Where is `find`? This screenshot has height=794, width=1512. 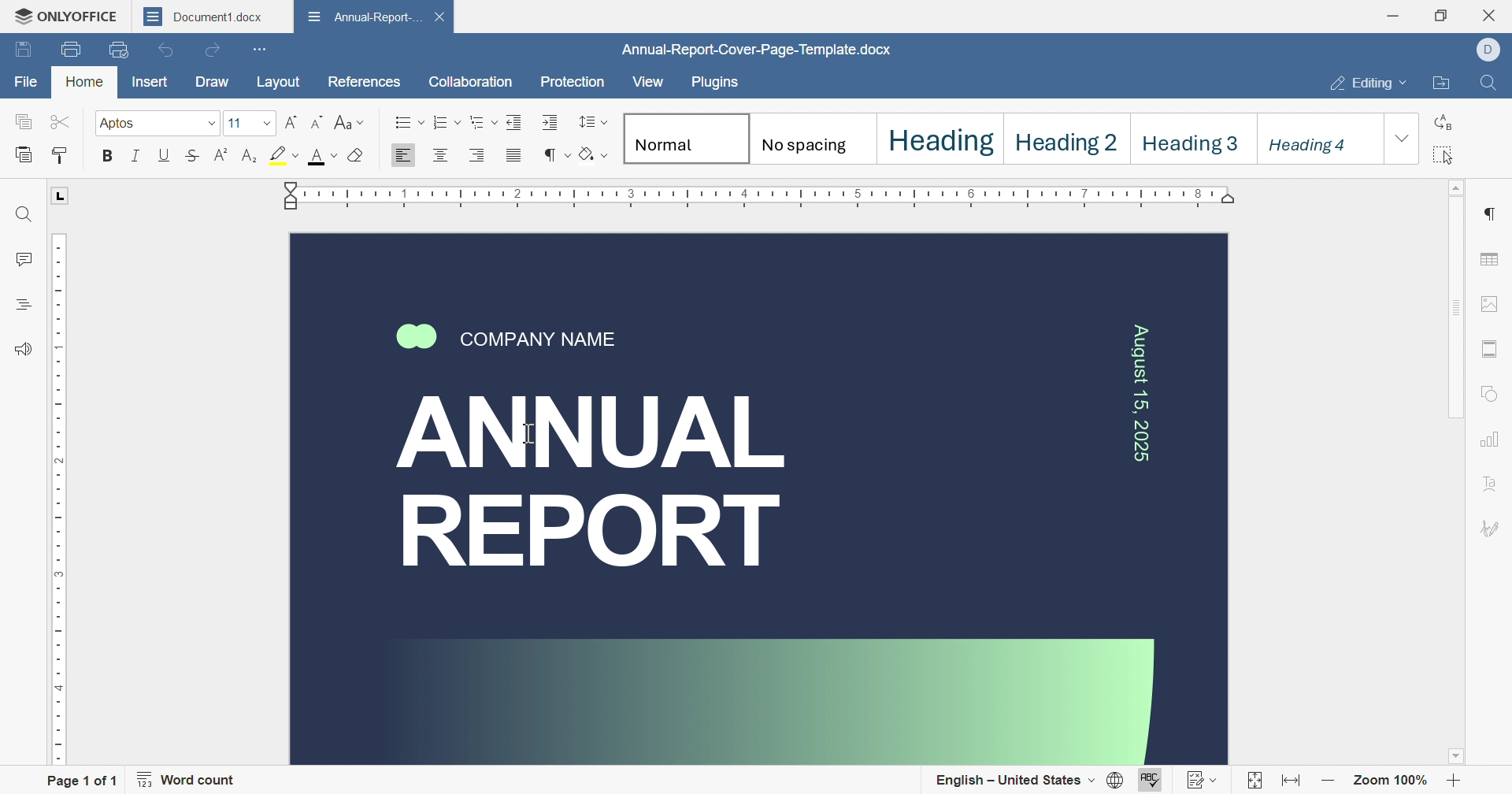
find is located at coordinates (1491, 84).